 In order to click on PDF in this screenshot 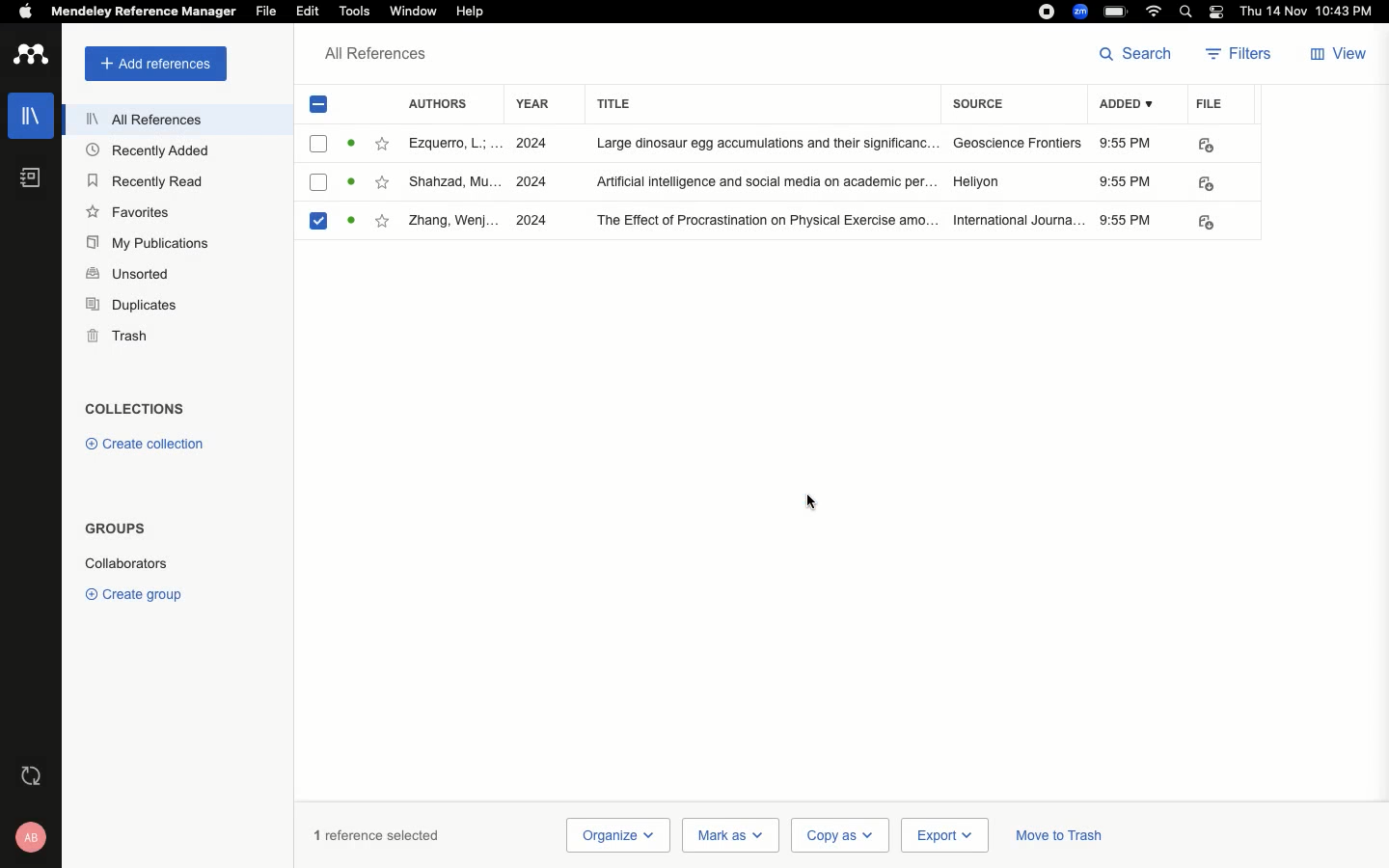, I will do `click(1205, 145)`.